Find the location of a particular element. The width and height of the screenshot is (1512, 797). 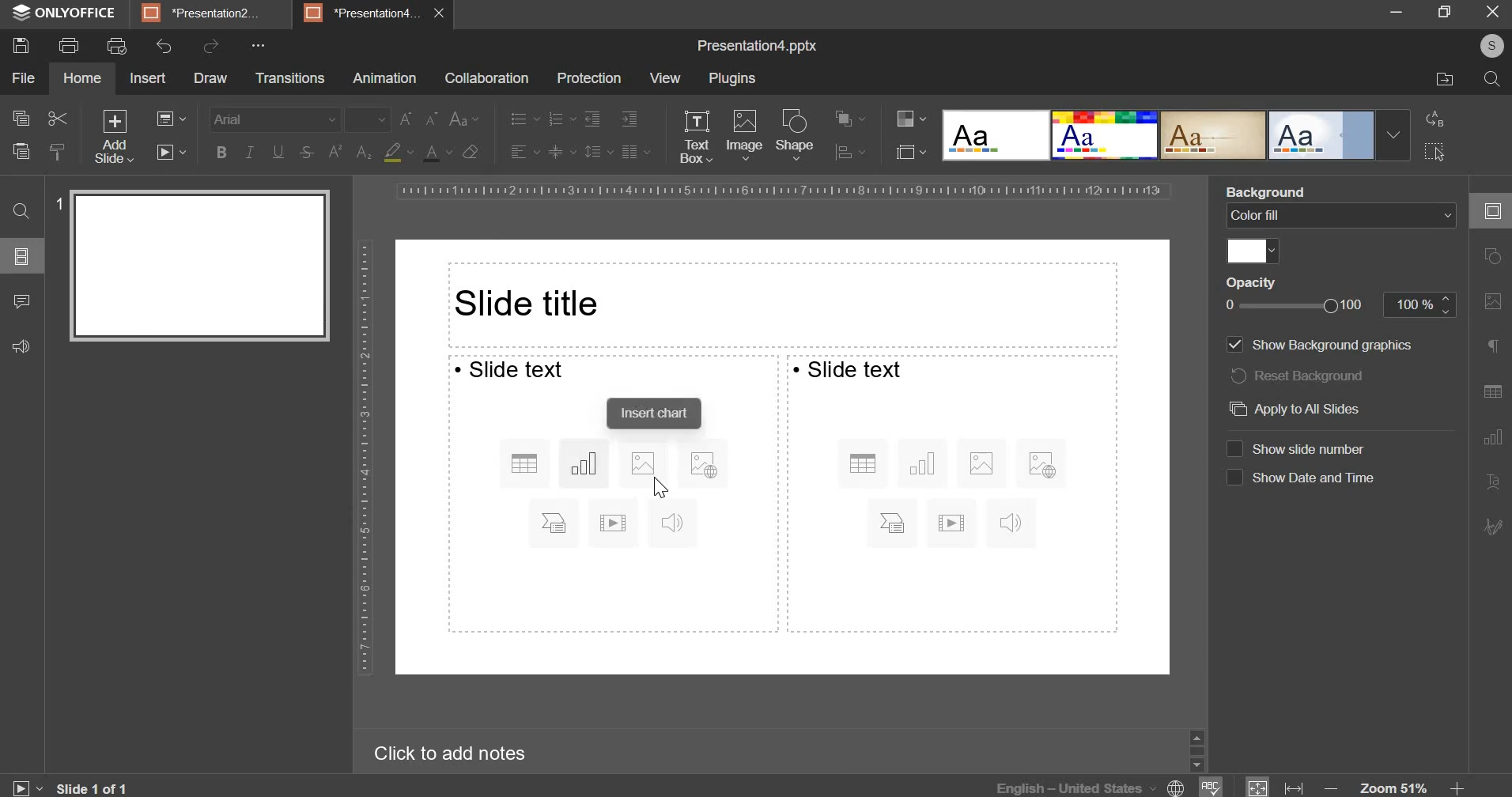

text art is located at coordinates (1491, 483).